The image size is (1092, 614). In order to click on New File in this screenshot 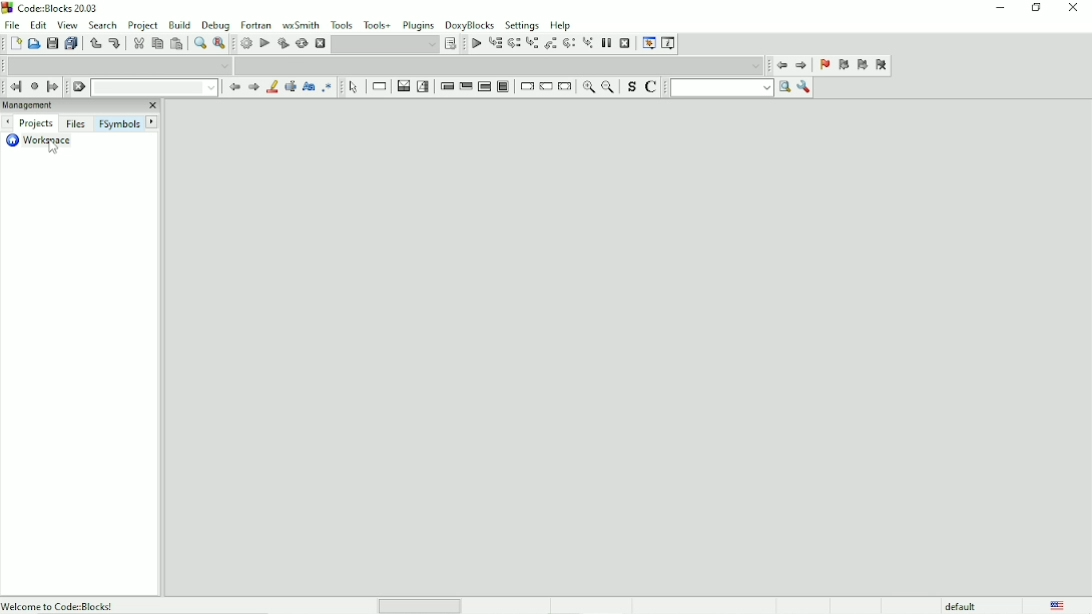, I will do `click(16, 44)`.